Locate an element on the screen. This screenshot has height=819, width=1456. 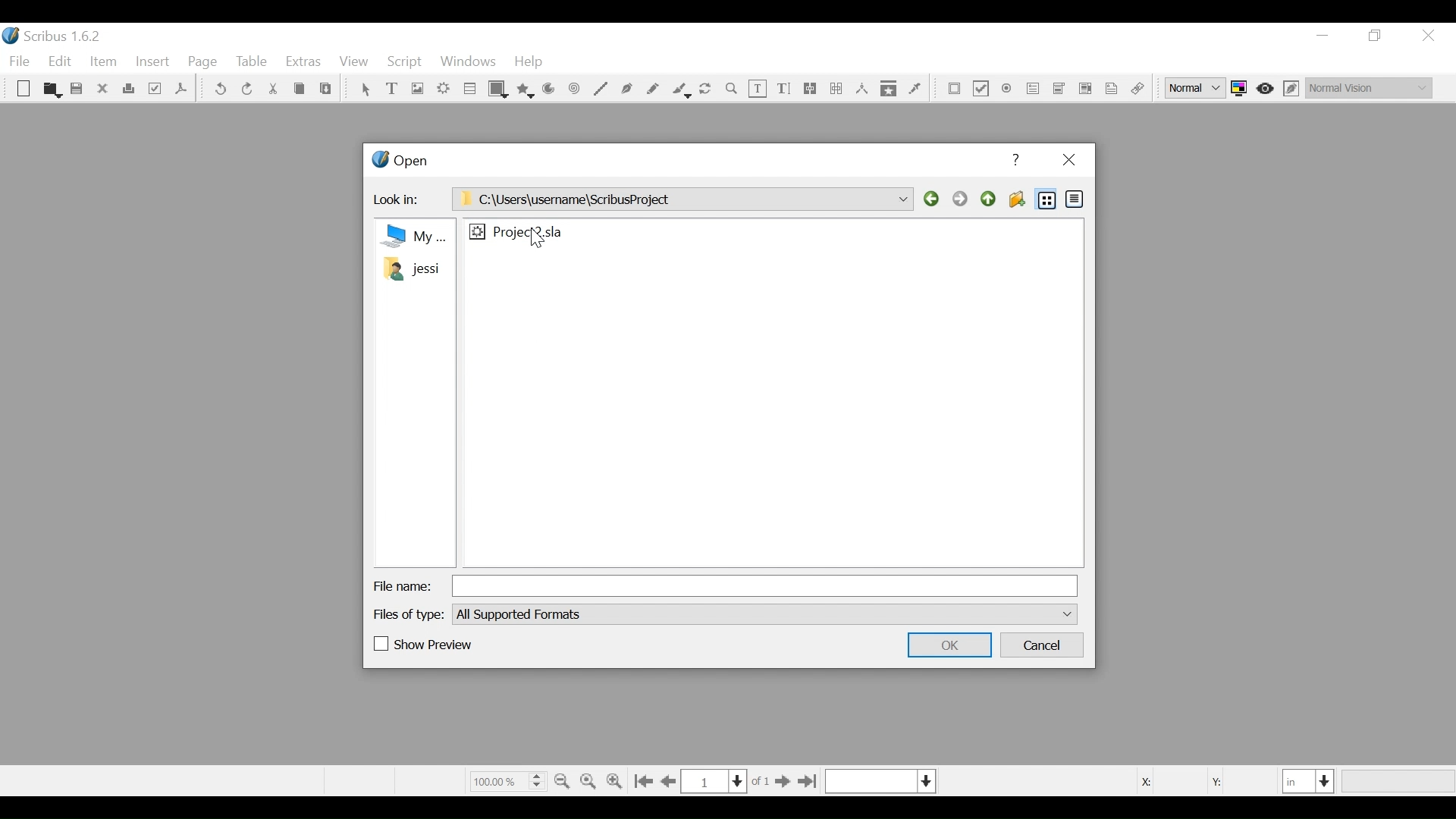
C:\Users is located at coordinates (682, 199).